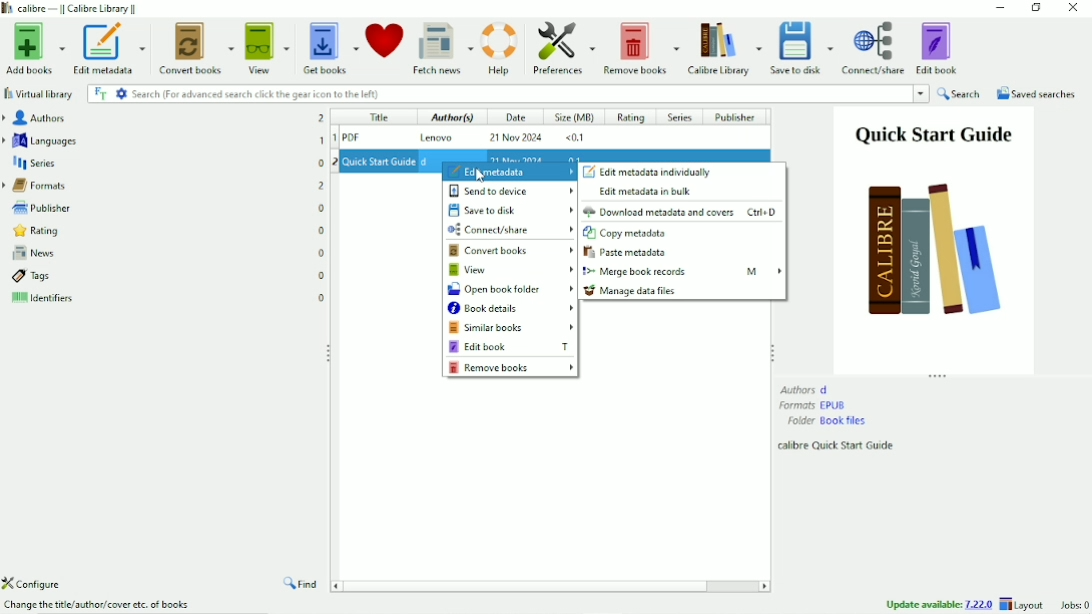 The height and width of the screenshot is (614, 1092). I want to click on Advanced search, so click(121, 93).